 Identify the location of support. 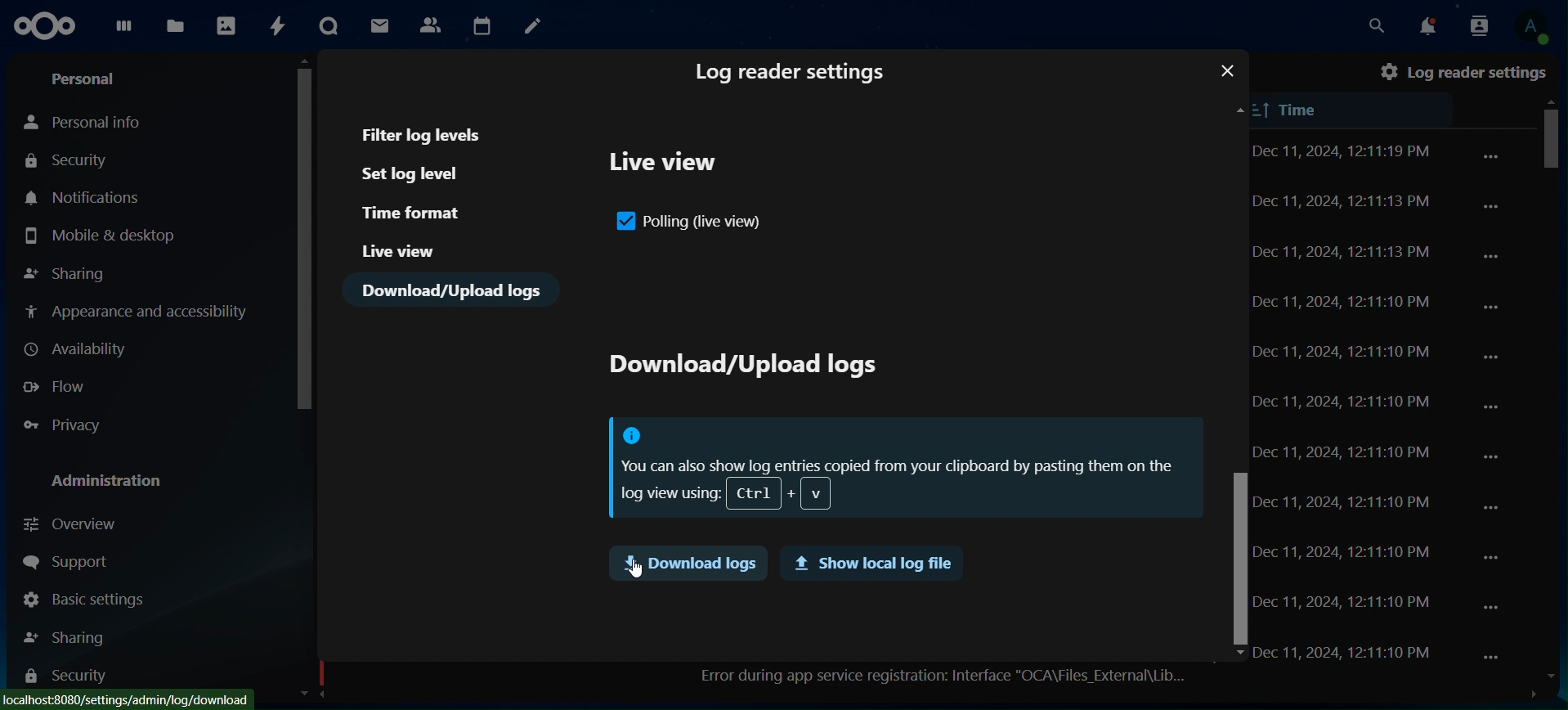
(65, 561).